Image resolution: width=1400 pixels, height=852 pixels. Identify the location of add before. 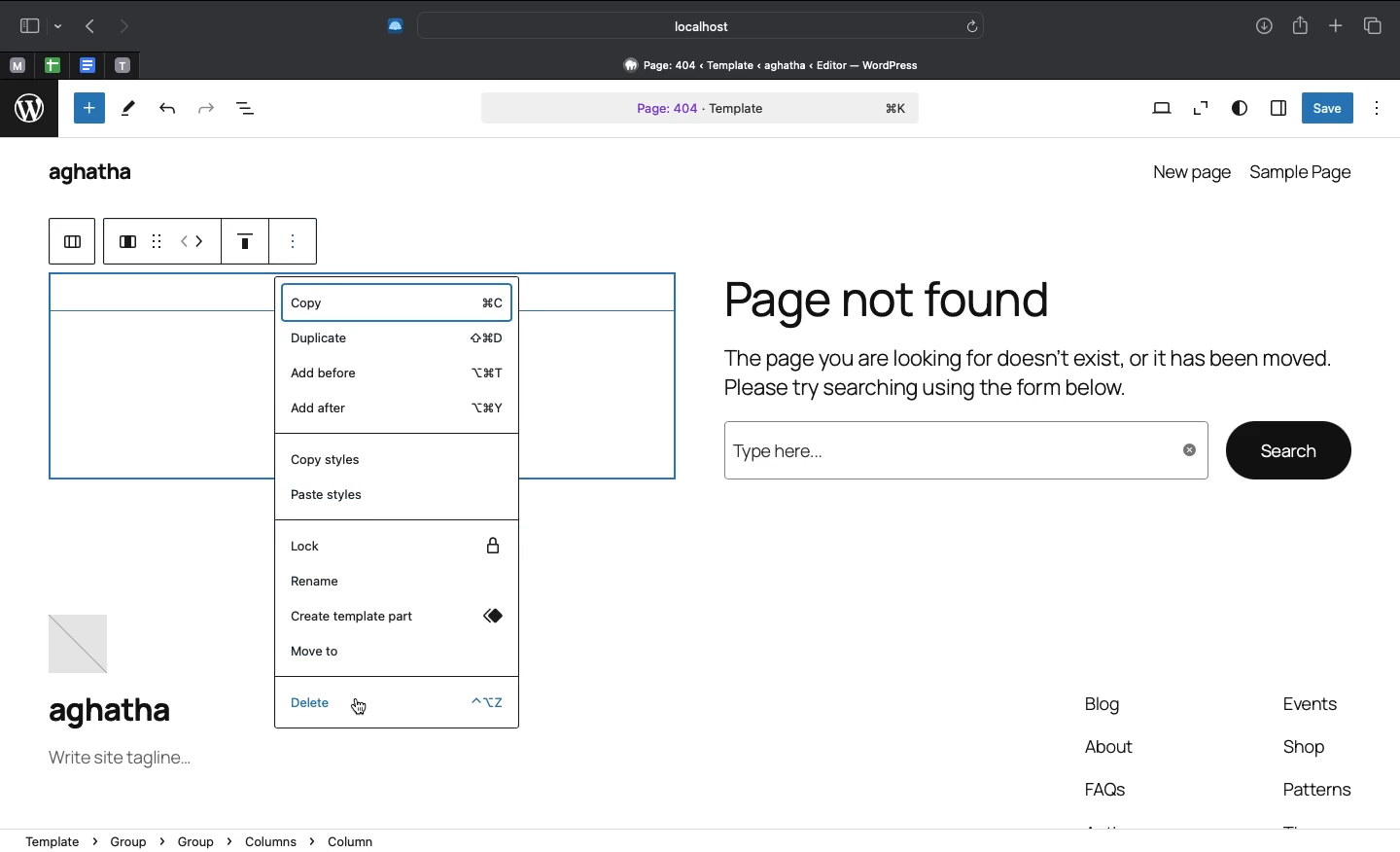
(396, 373).